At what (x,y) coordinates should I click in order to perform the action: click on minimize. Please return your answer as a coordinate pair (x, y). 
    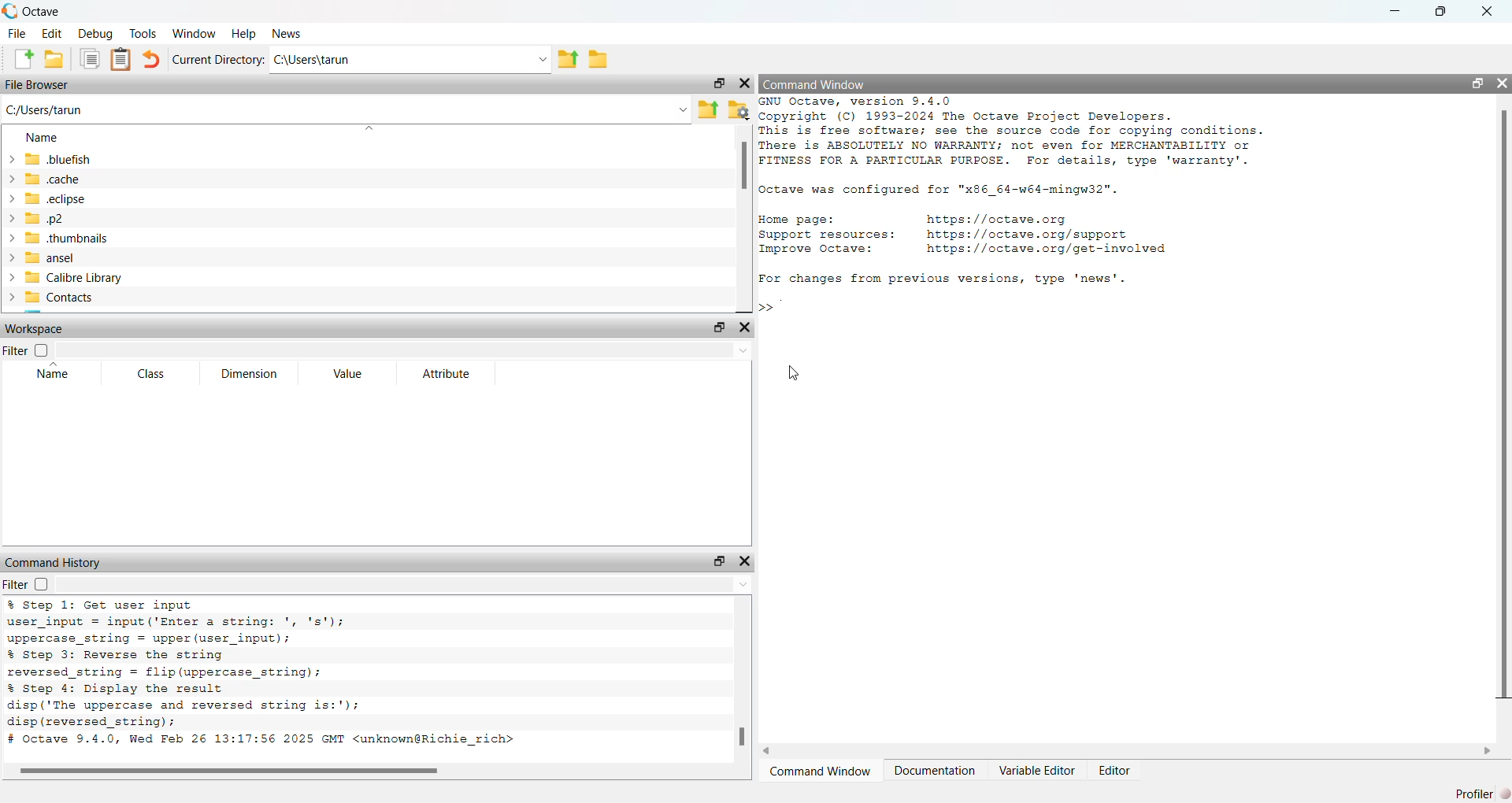
    Looking at the image, I should click on (1397, 12).